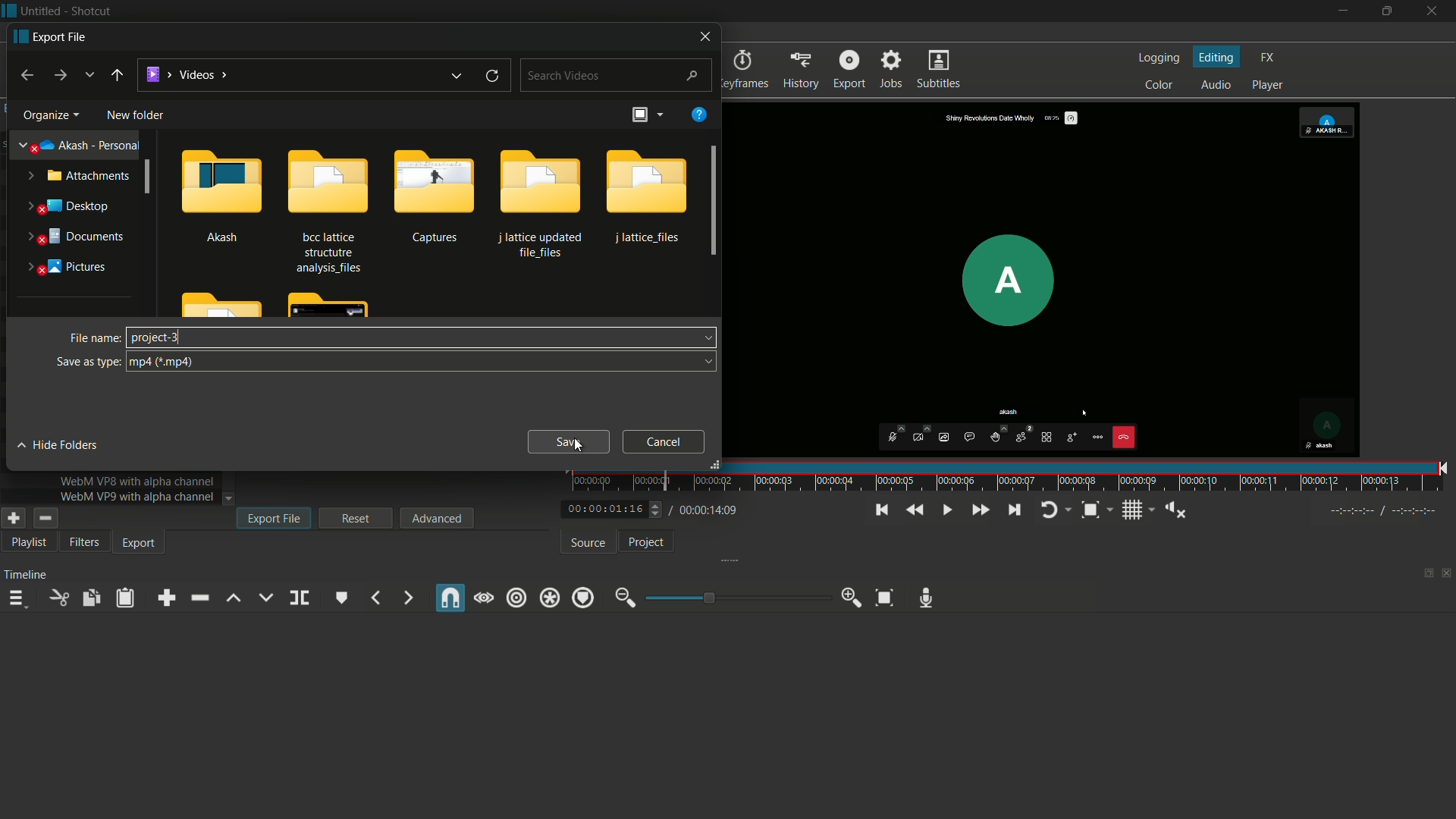 The width and height of the screenshot is (1456, 819). What do you see at coordinates (739, 597) in the screenshot?
I see `adjustment bar` at bounding box center [739, 597].